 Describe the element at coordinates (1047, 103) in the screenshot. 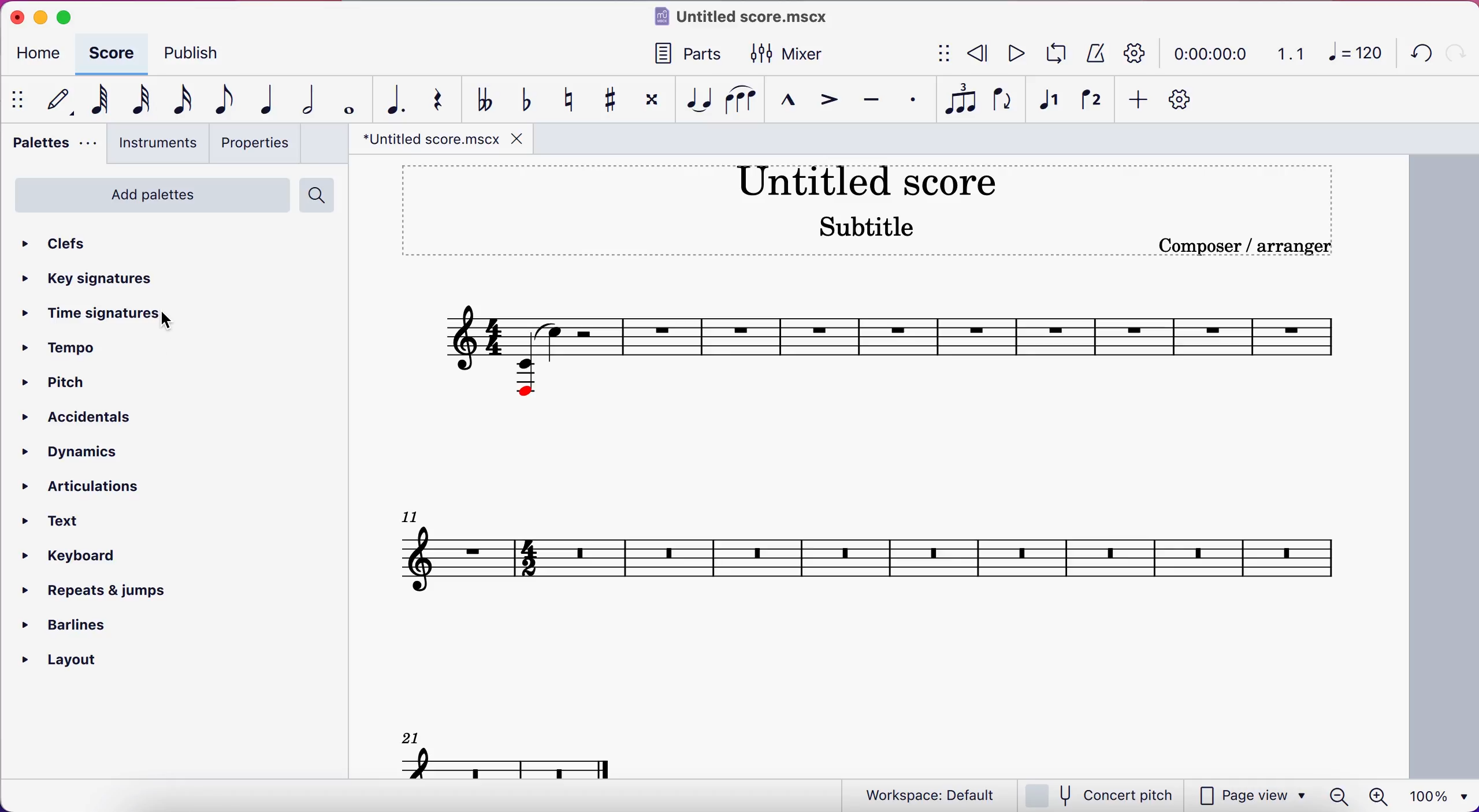

I see `voice1` at that location.